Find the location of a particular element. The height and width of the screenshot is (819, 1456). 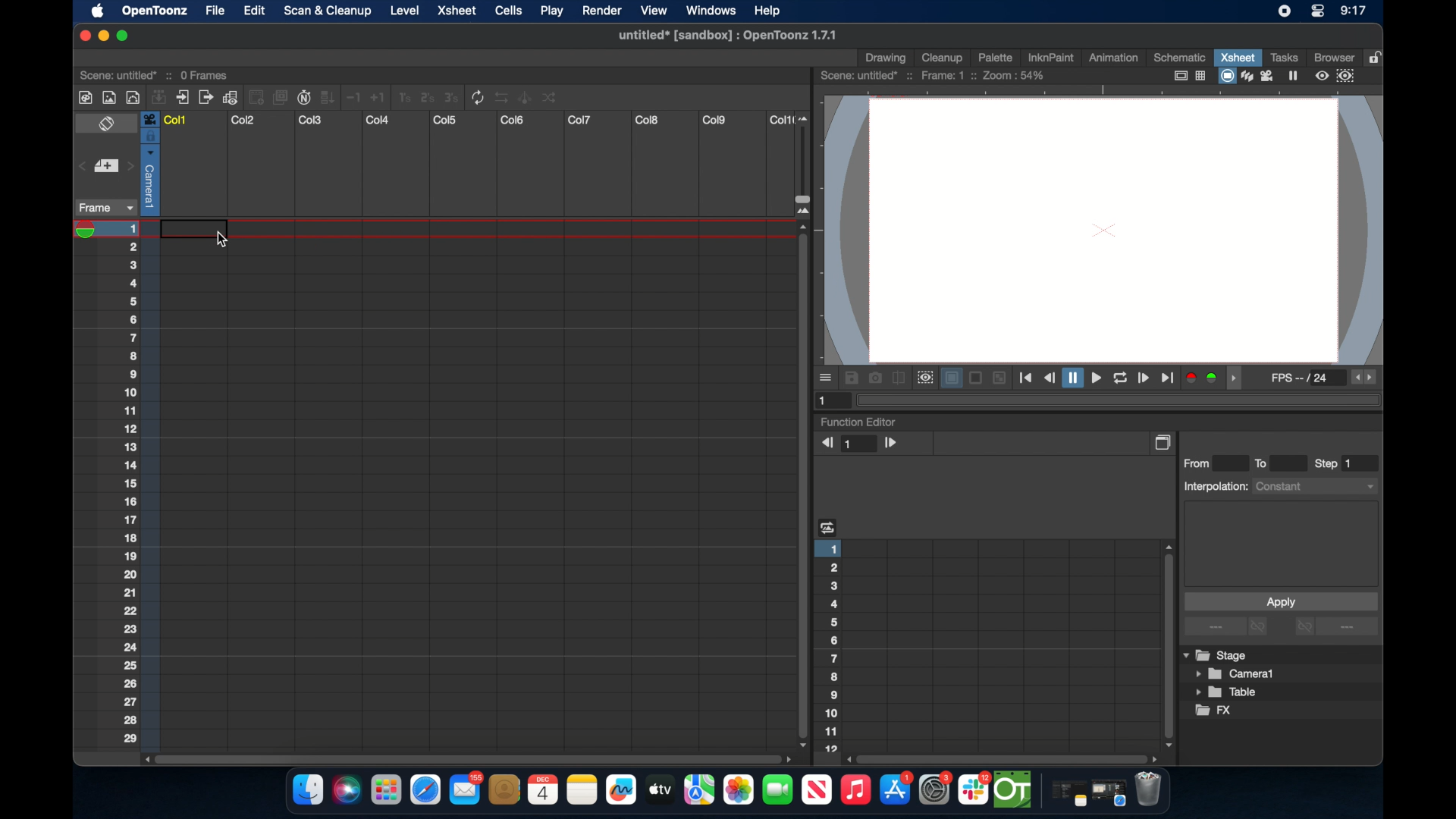

columns is located at coordinates (477, 120).